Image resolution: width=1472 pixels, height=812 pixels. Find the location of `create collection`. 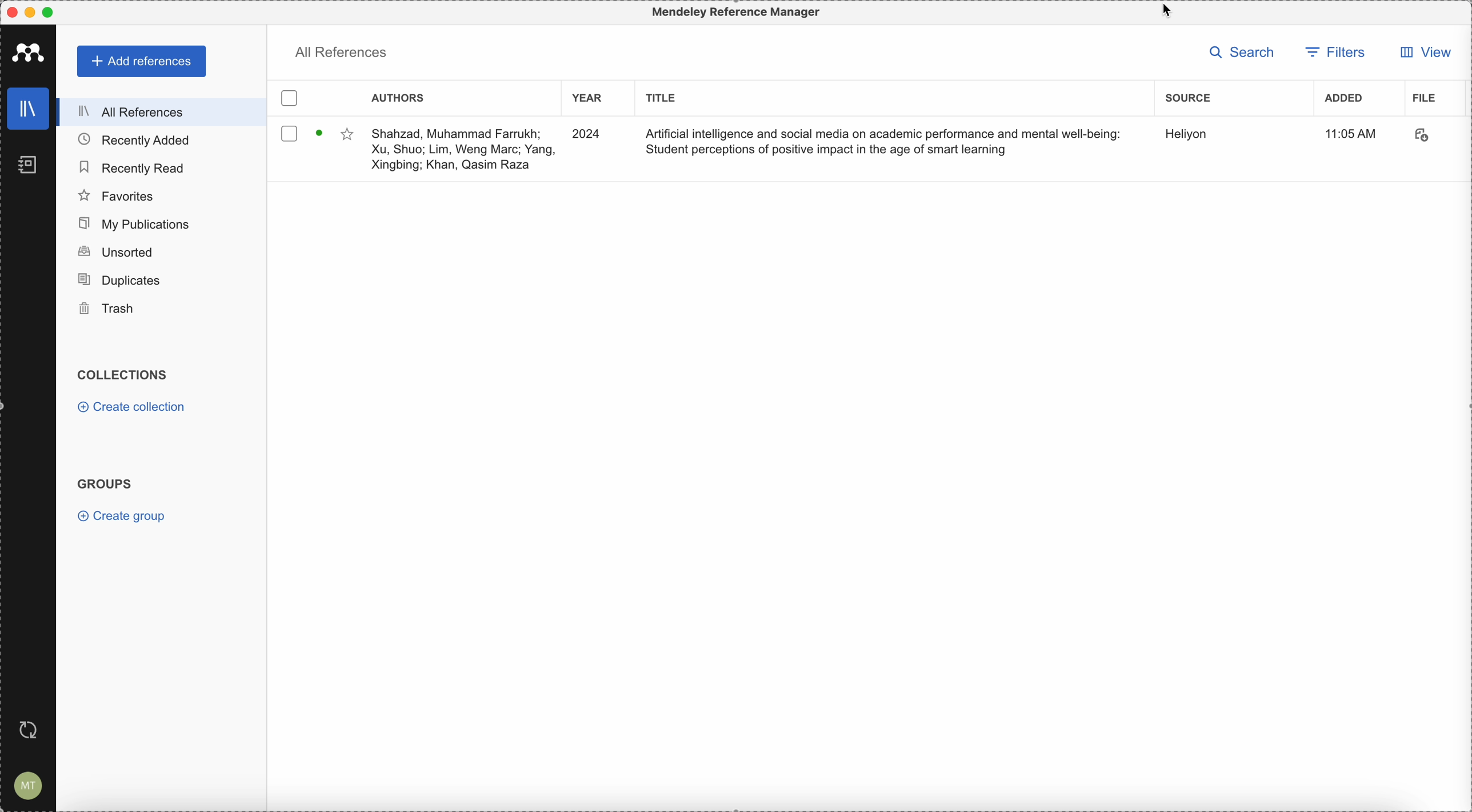

create collection is located at coordinates (134, 407).